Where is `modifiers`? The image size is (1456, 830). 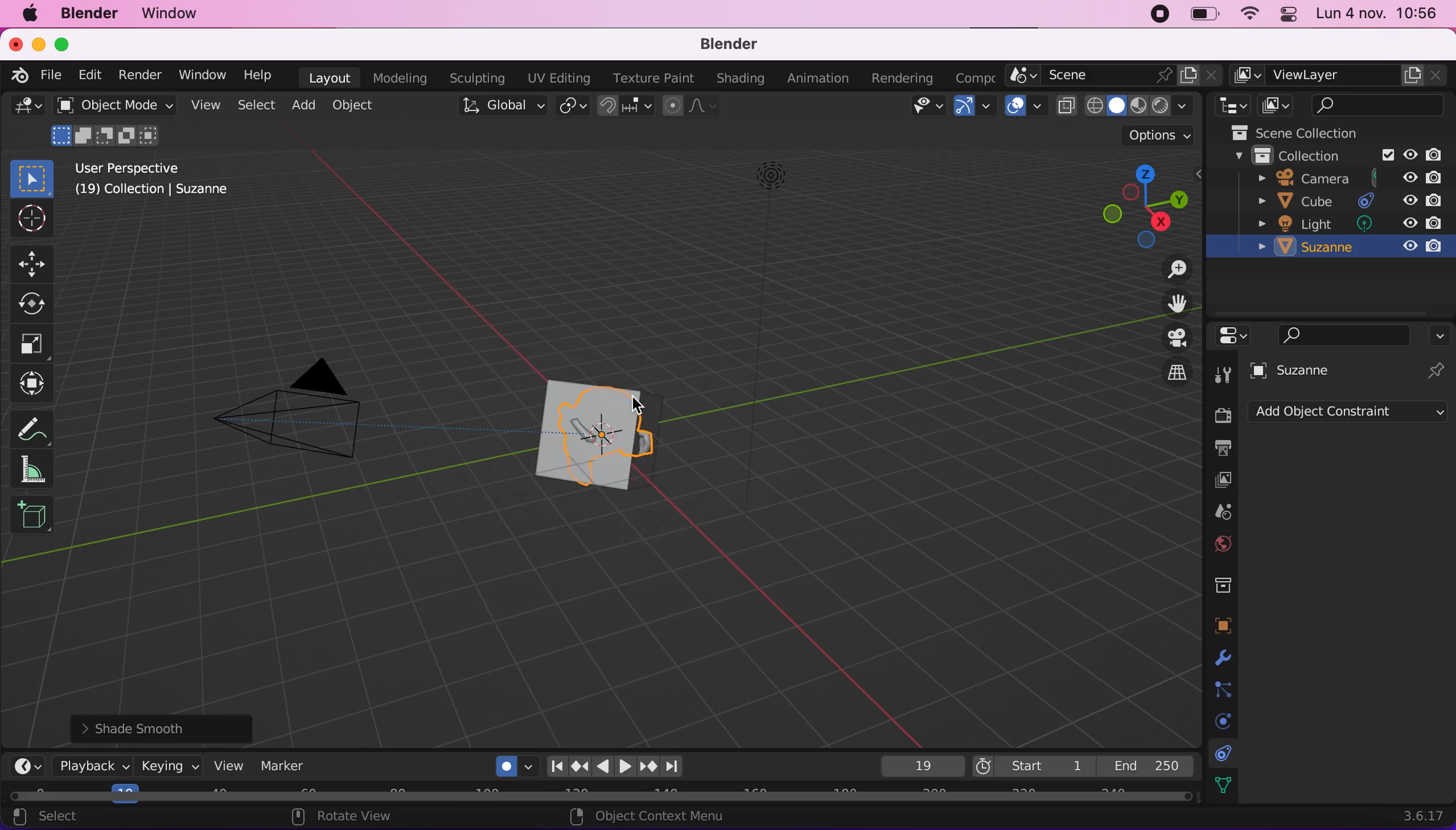
modifiers is located at coordinates (1221, 654).